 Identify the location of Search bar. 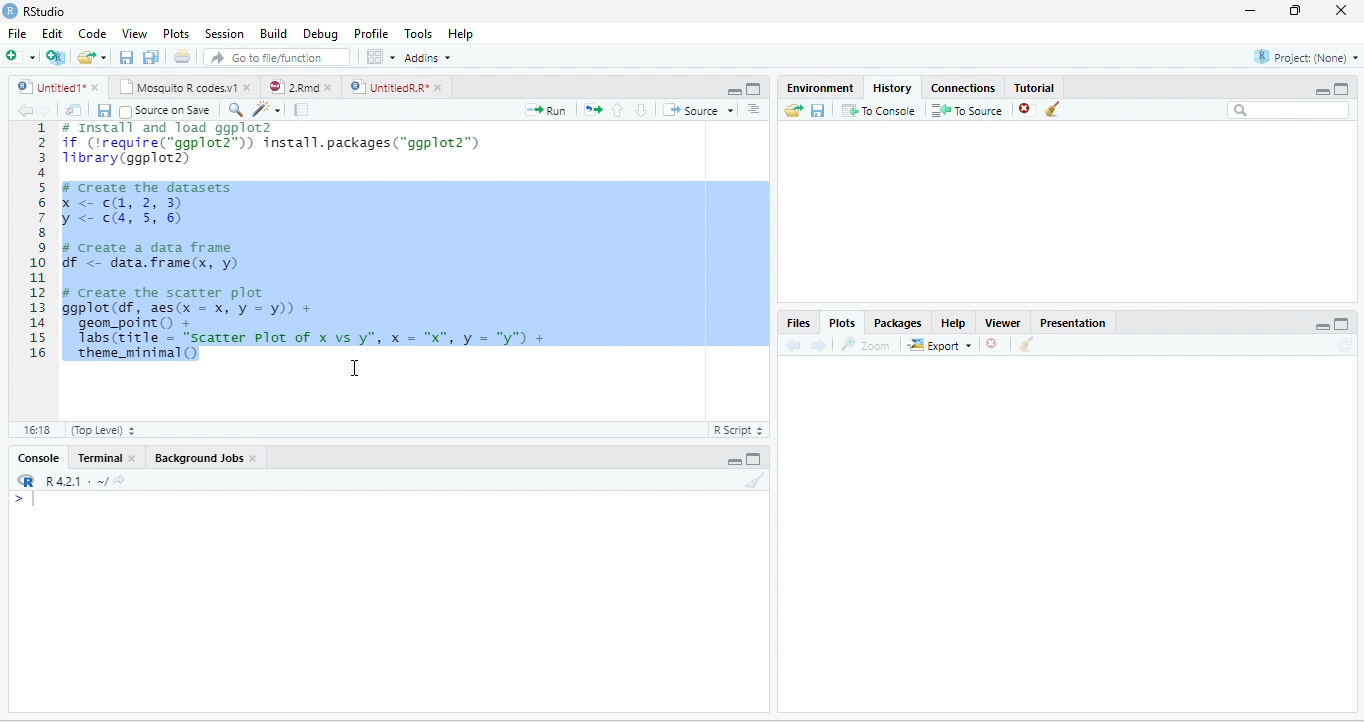
(1288, 111).